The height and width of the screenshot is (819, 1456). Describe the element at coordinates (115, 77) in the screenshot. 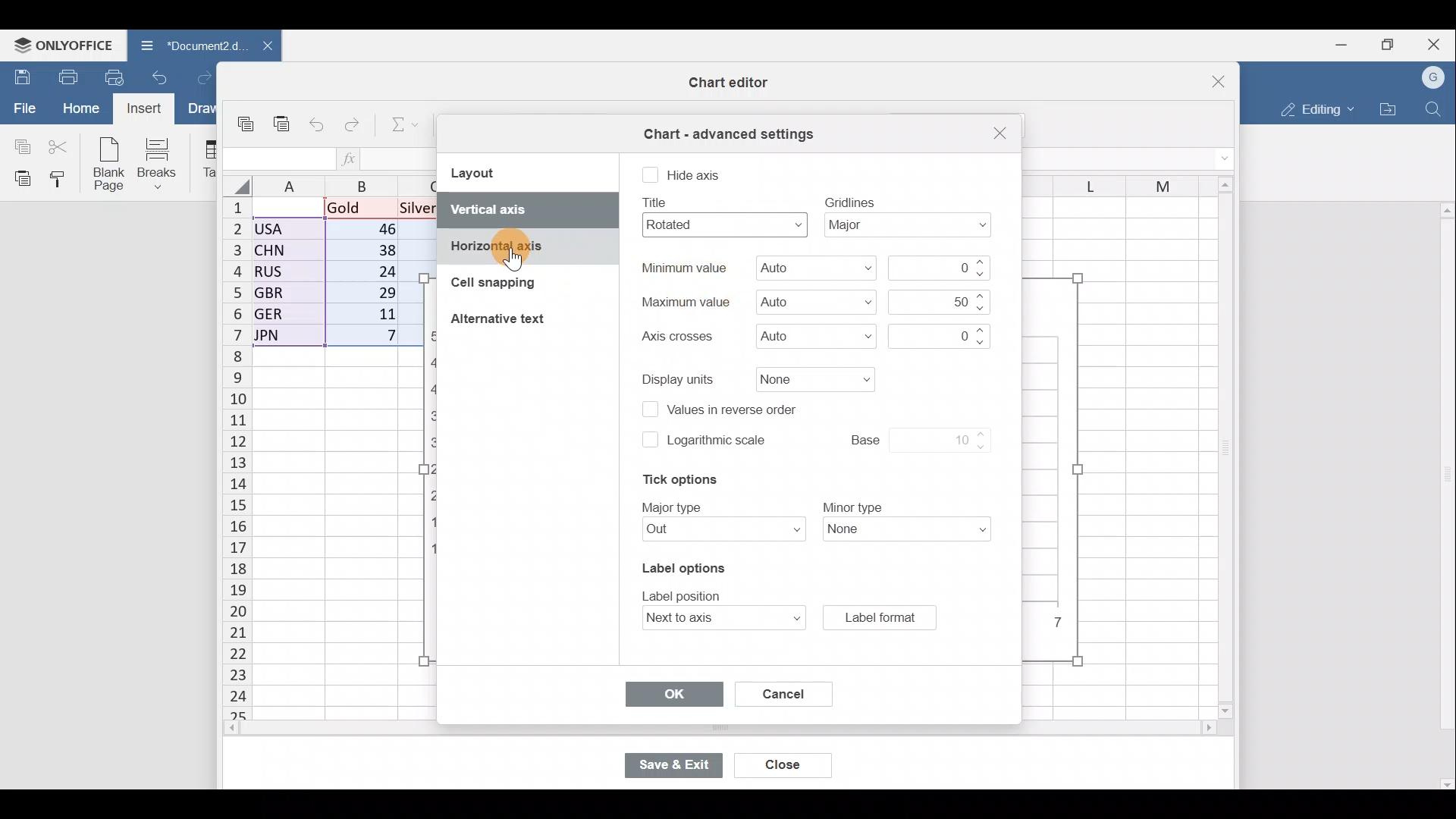

I see `Quick print` at that location.